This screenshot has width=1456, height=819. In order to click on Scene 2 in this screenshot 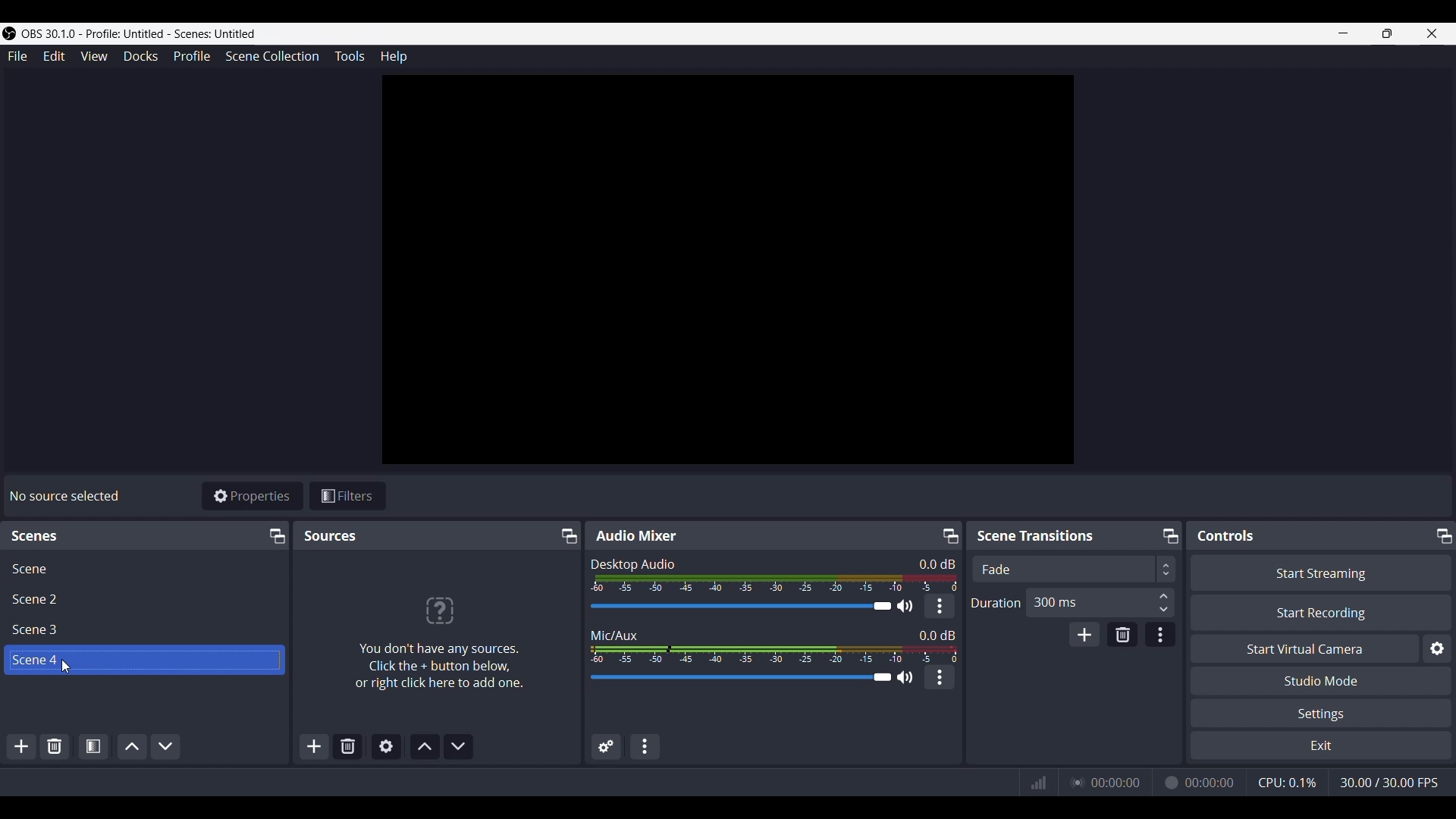, I will do `click(39, 599)`.